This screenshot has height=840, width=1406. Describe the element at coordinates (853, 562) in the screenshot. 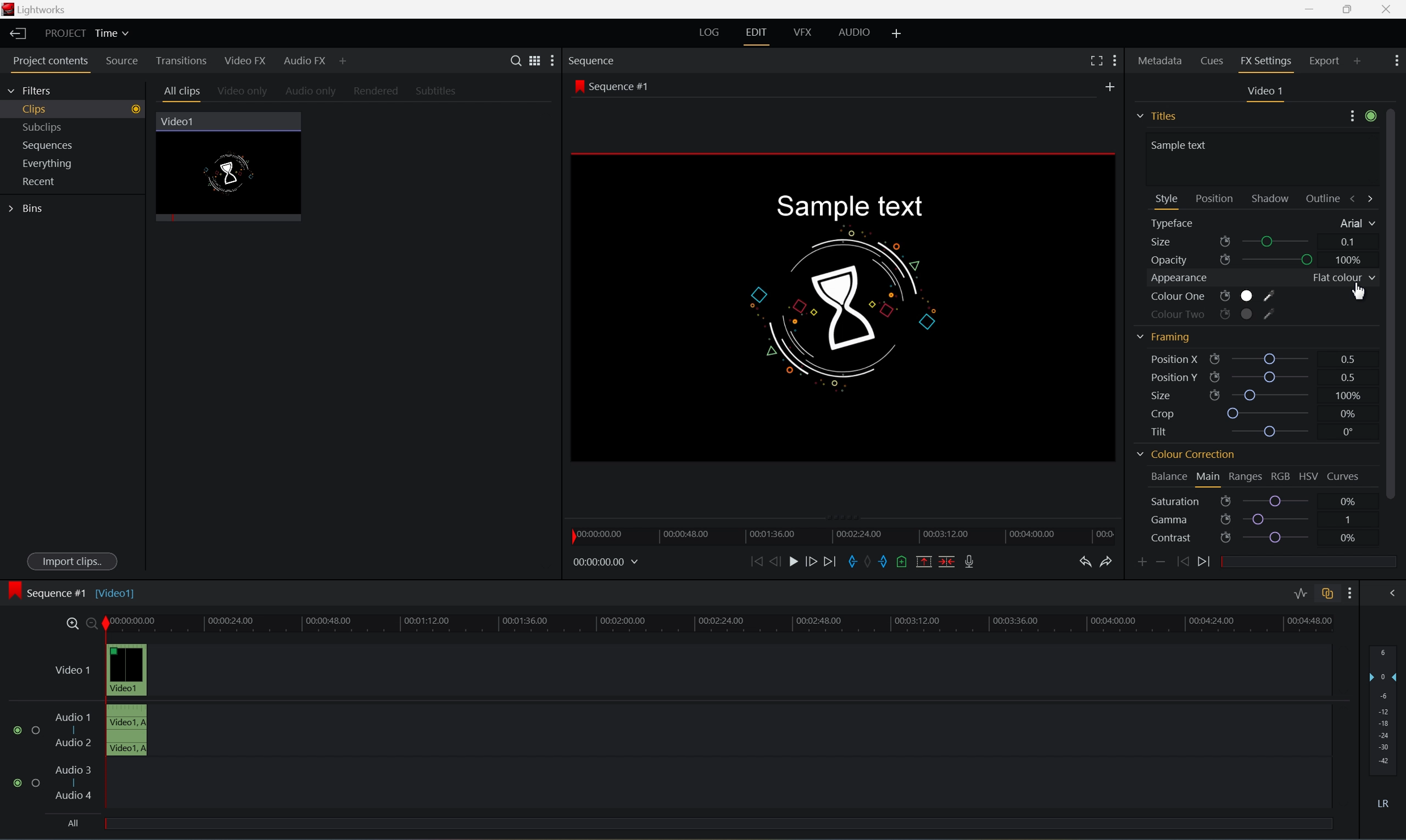

I see `Add an 'in' mark at the current position` at that location.